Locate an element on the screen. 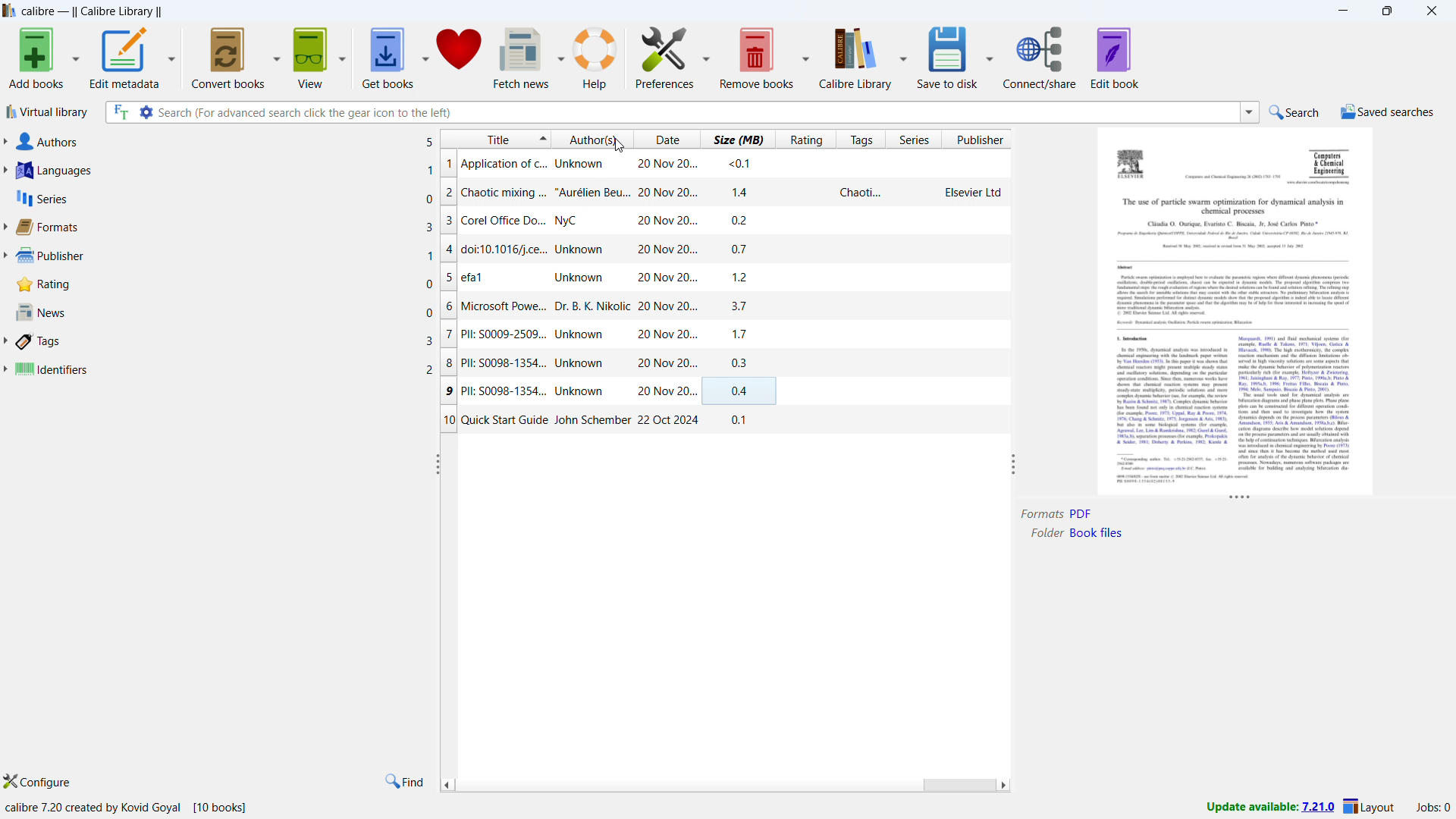 This screenshot has height=819, width=1456. resize is located at coordinates (435, 463).